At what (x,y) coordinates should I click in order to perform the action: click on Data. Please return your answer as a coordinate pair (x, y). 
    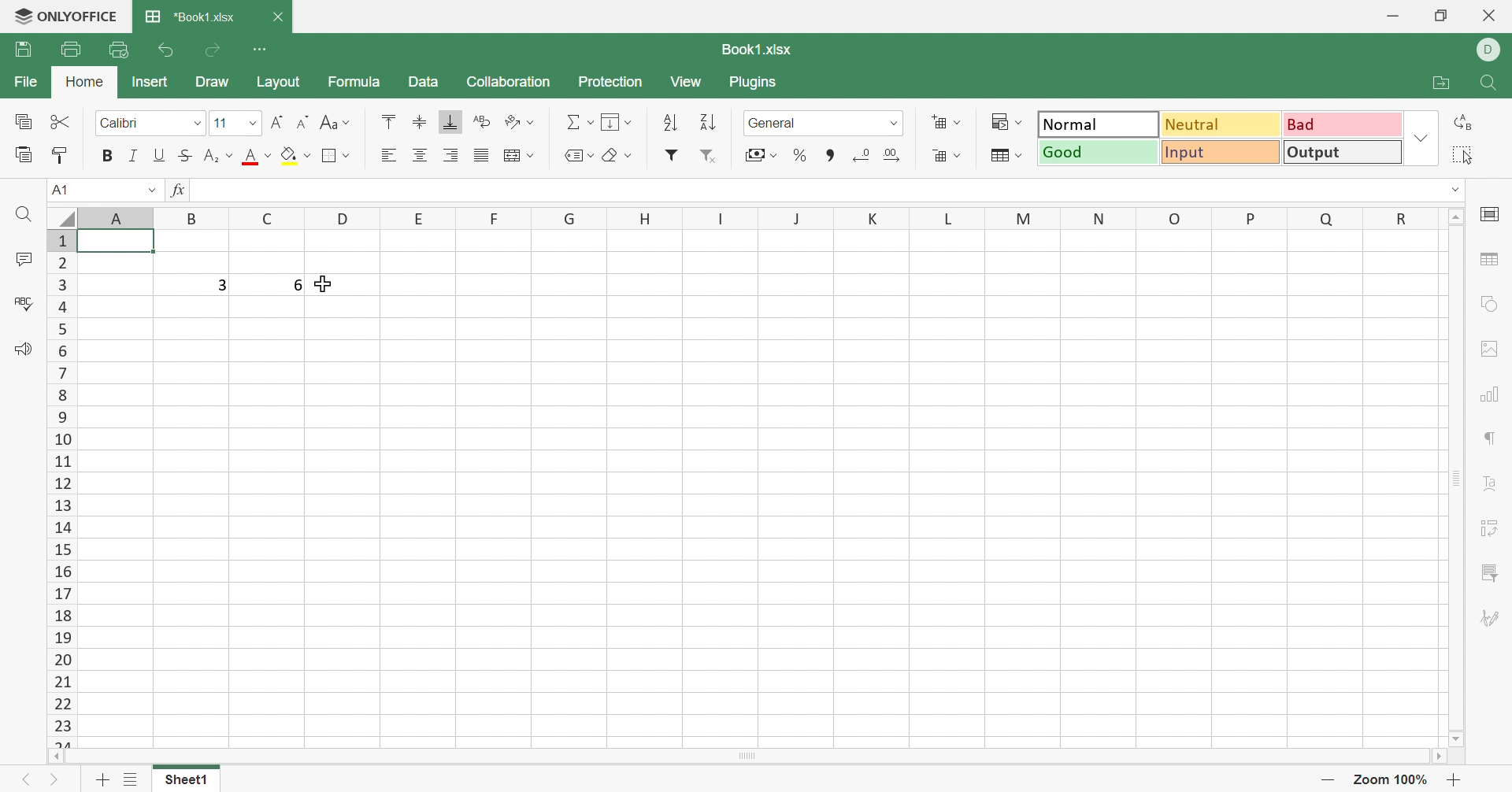
    Looking at the image, I should click on (421, 81).